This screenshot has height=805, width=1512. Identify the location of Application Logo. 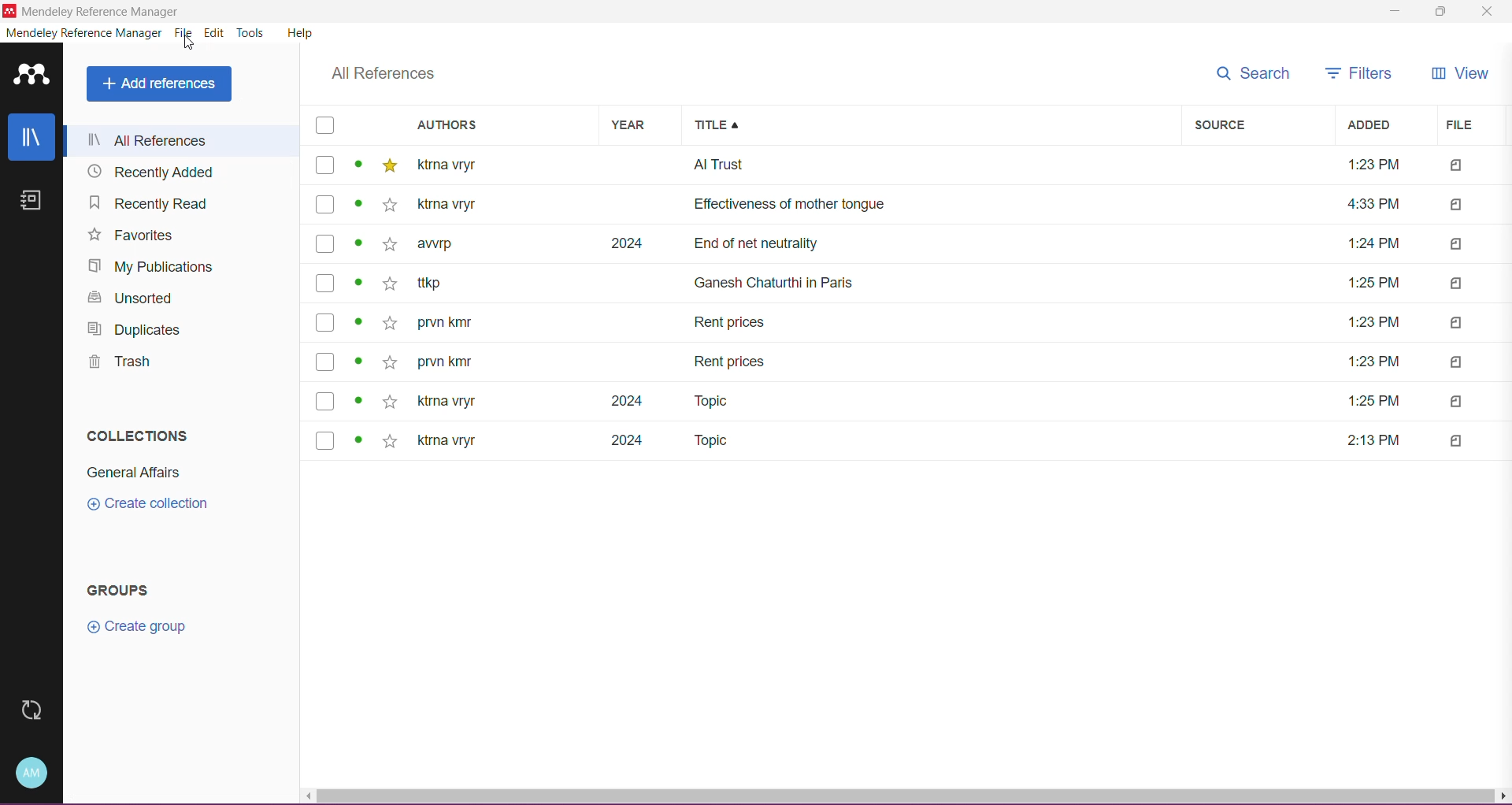
(36, 76).